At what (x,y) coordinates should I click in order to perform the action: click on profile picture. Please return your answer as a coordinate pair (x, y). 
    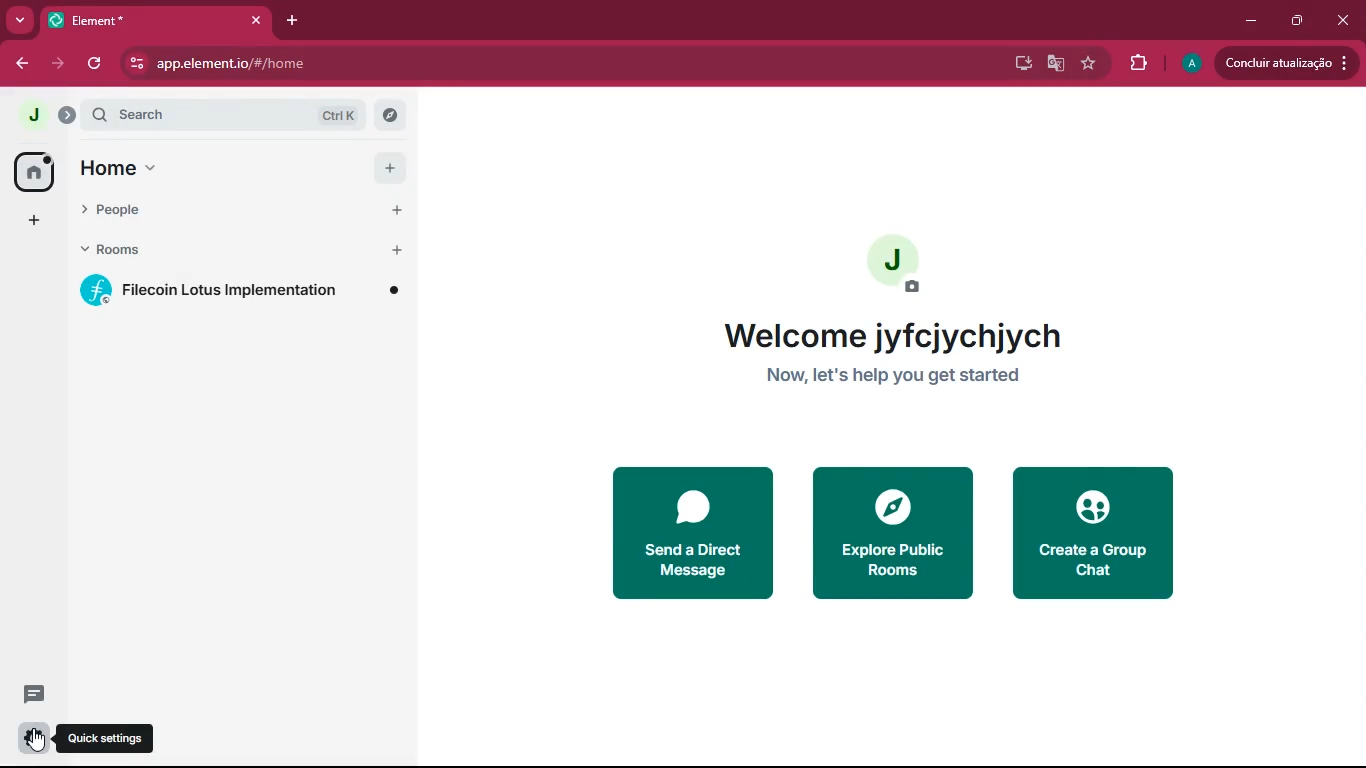
    Looking at the image, I should click on (31, 114).